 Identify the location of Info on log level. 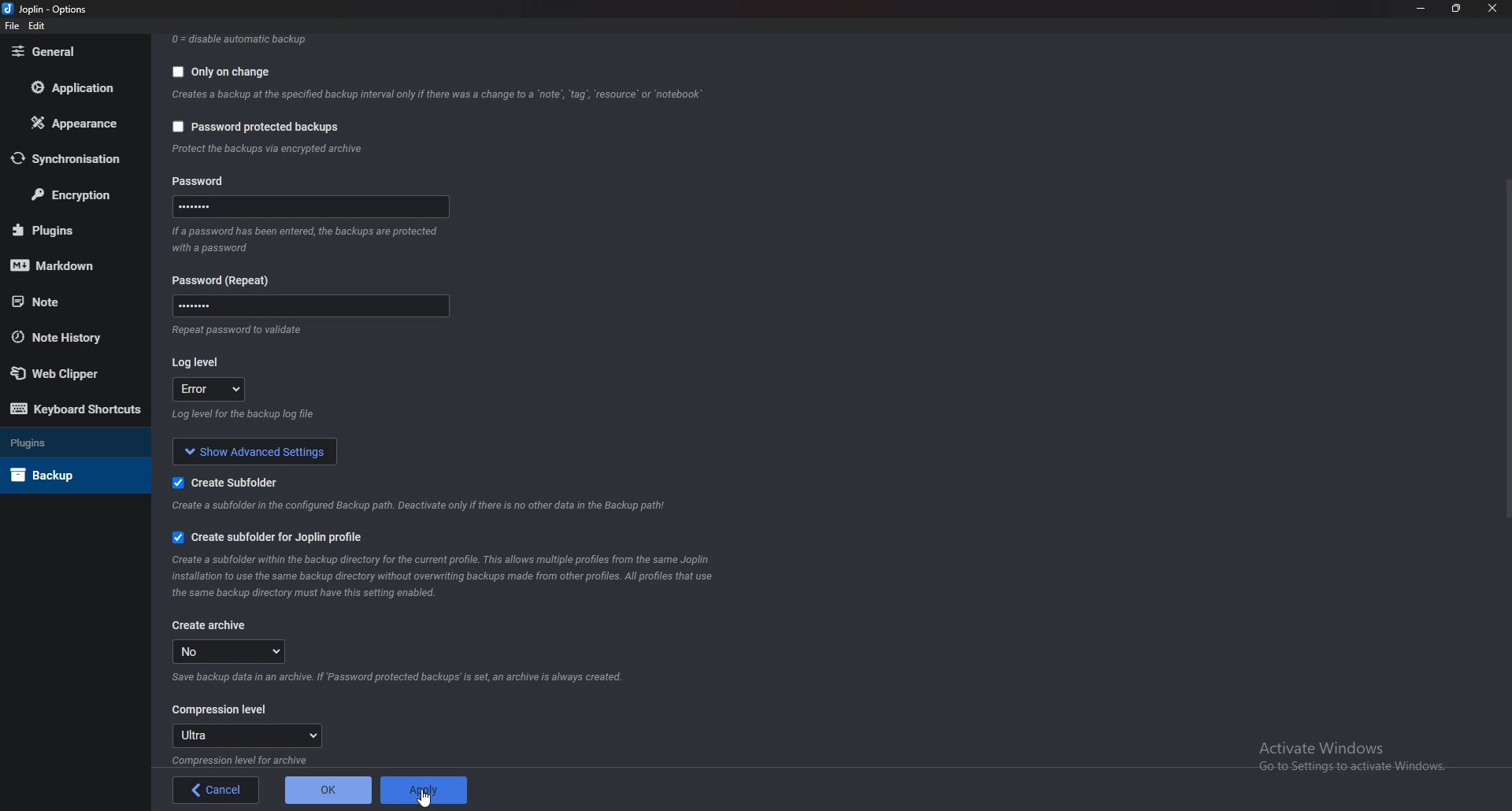
(244, 414).